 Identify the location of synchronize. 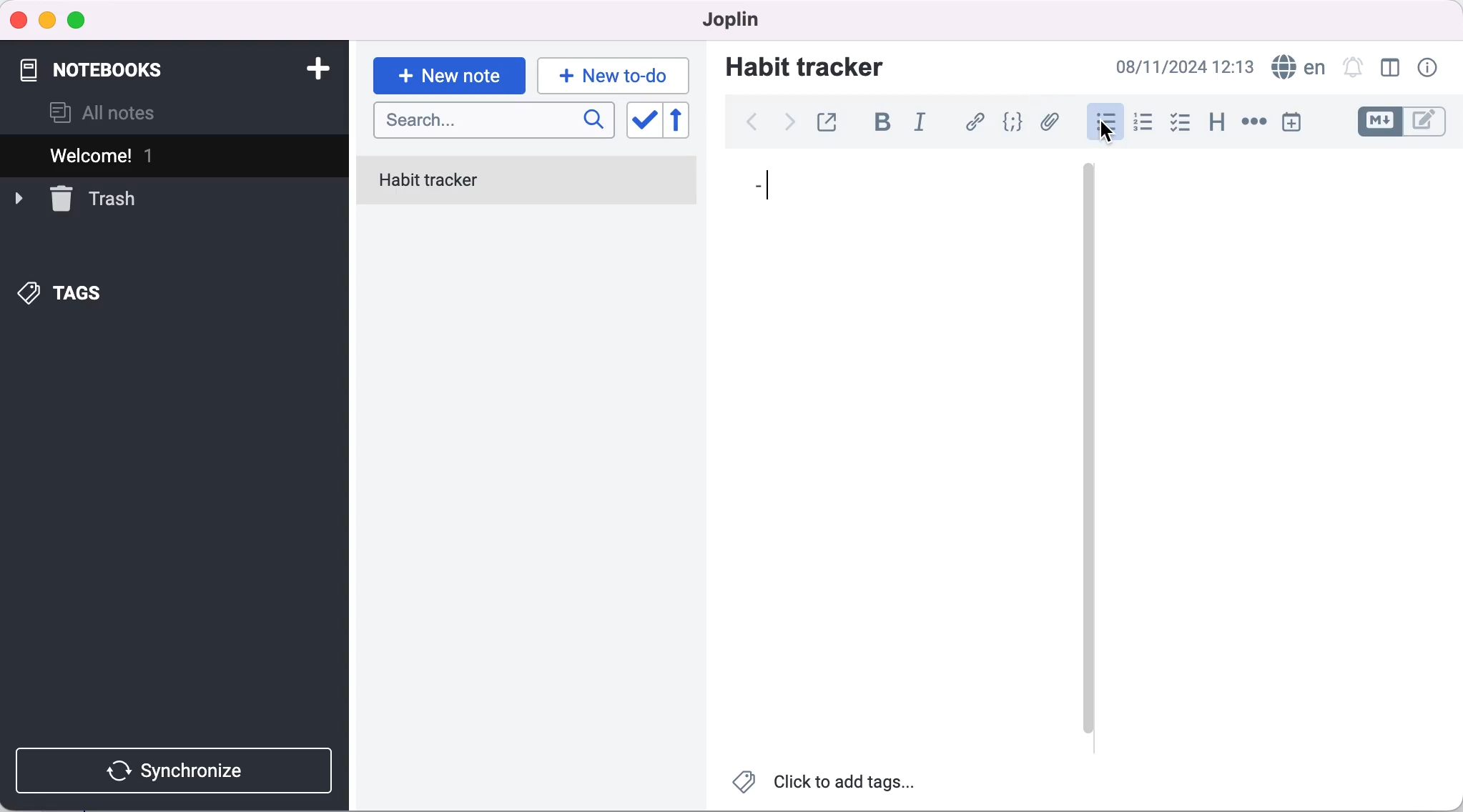
(177, 771).